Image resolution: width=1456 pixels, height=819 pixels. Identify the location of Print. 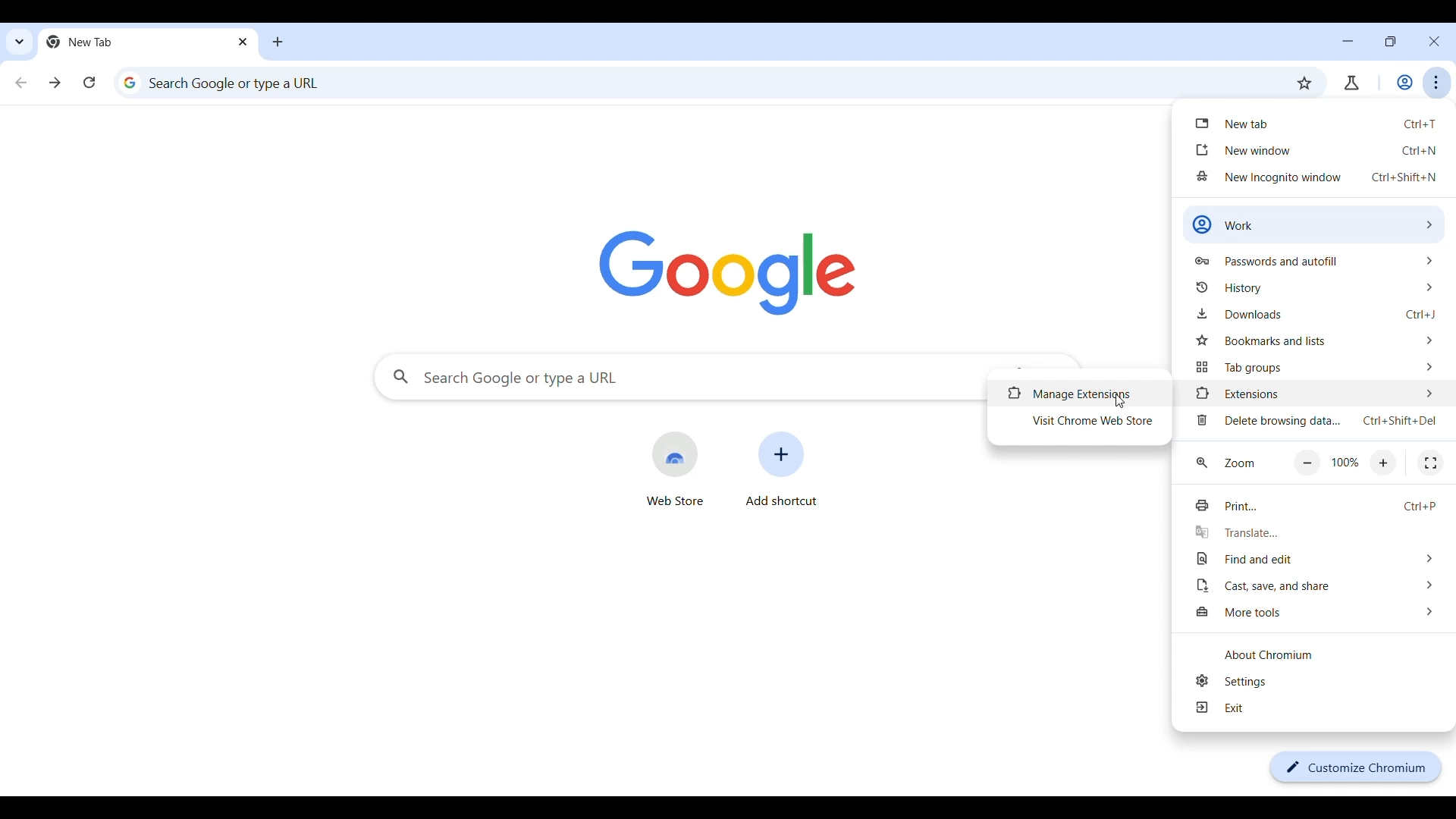
(1316, 507).